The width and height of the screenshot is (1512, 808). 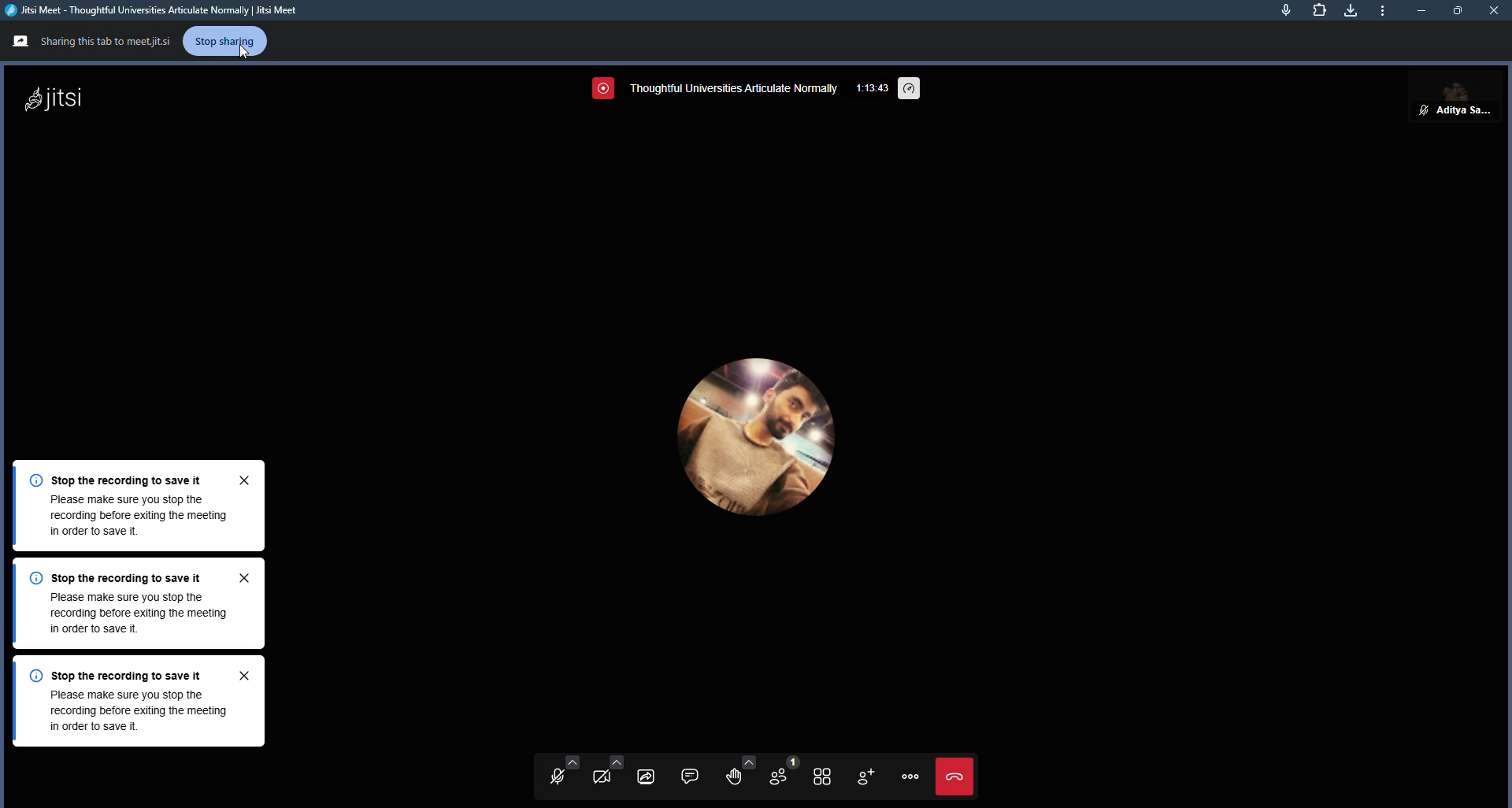 What do you see at coordinates (225, 43) in the screenshot?
I see `stop sharing` at bounding box center [225, 43].